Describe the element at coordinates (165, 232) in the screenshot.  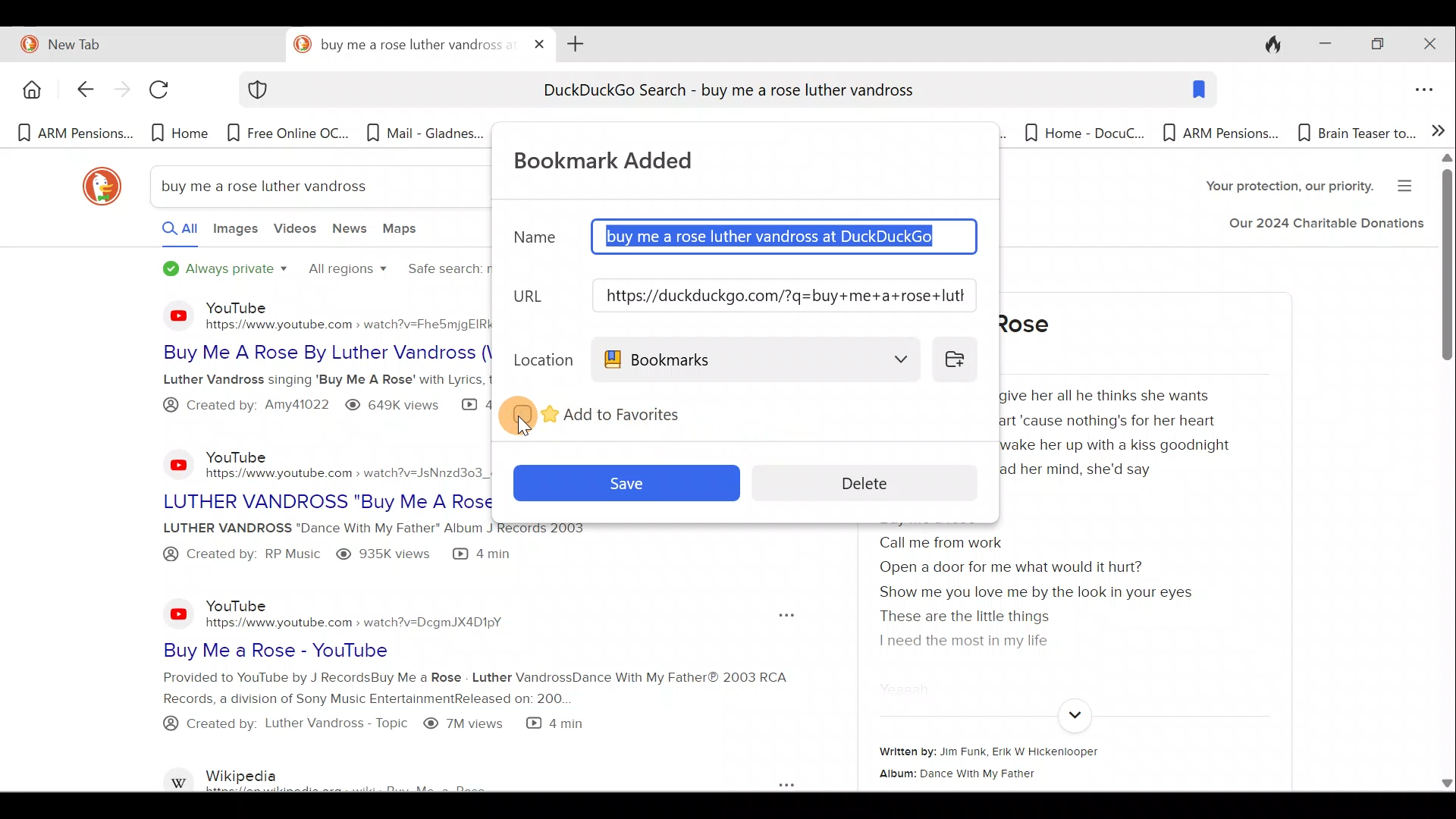
I see `All` at that location.